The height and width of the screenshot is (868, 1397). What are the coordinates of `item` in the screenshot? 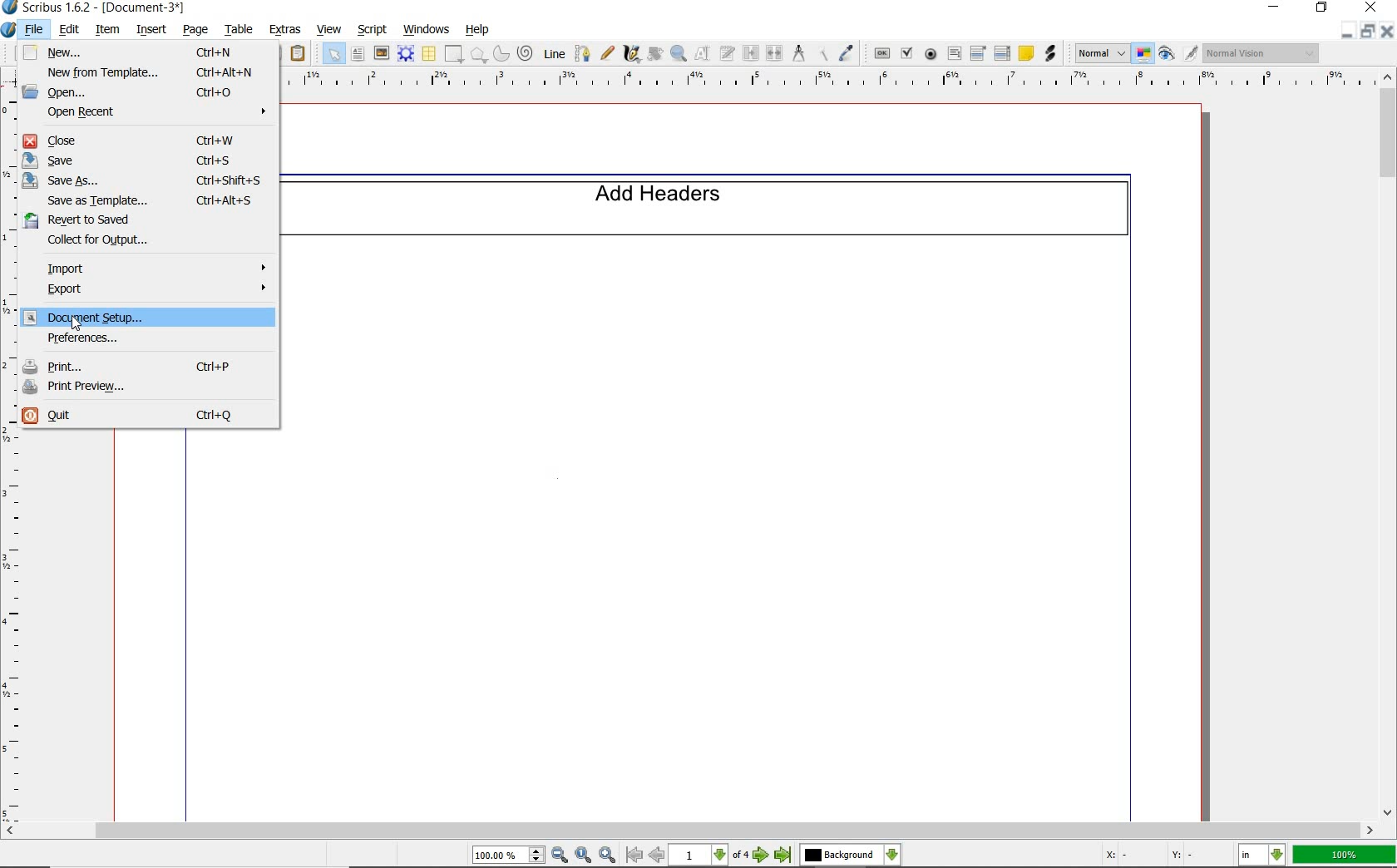 It's located at (107, 31).